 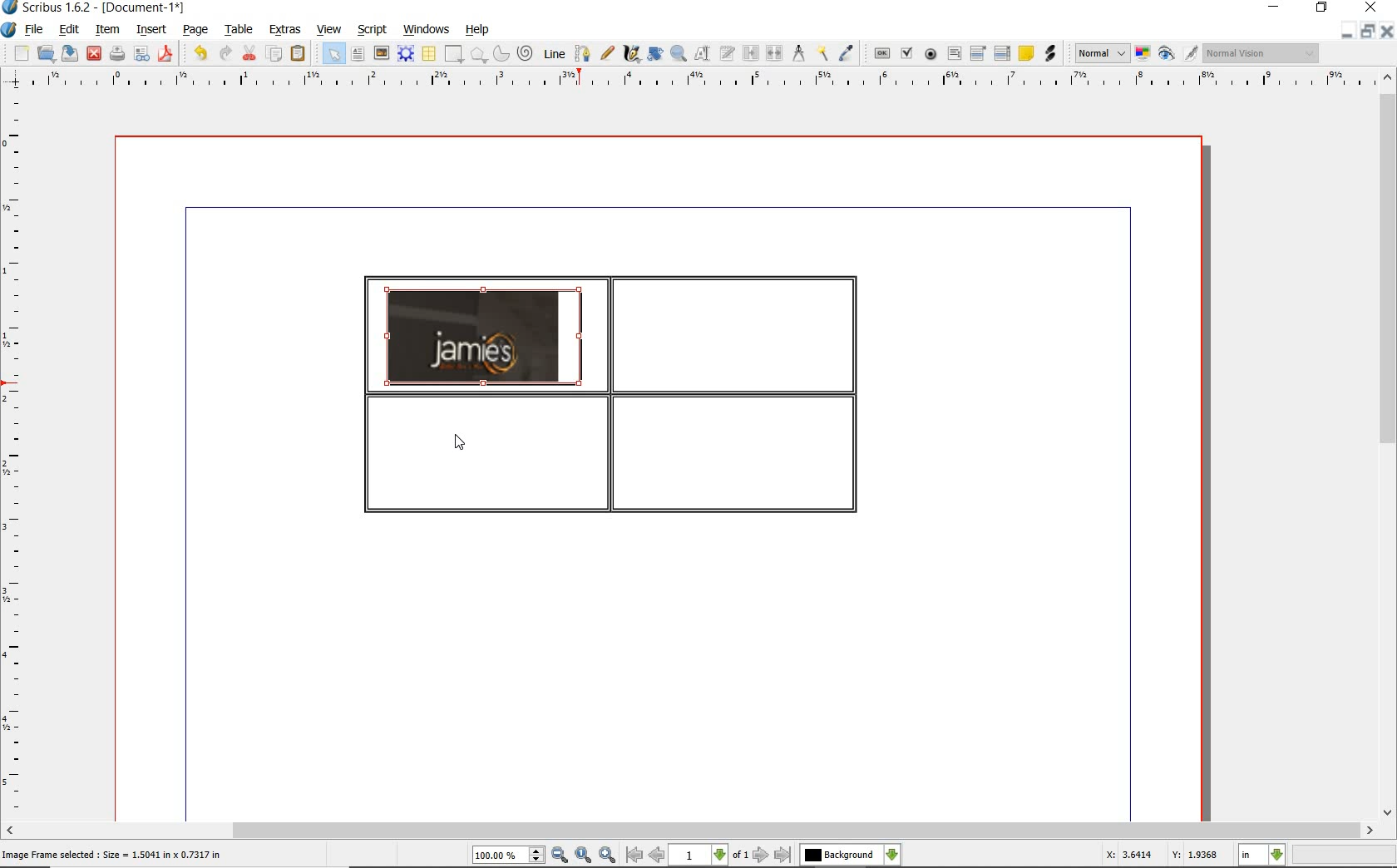 I want to click on select the current layer, so click(x=850, y=855).